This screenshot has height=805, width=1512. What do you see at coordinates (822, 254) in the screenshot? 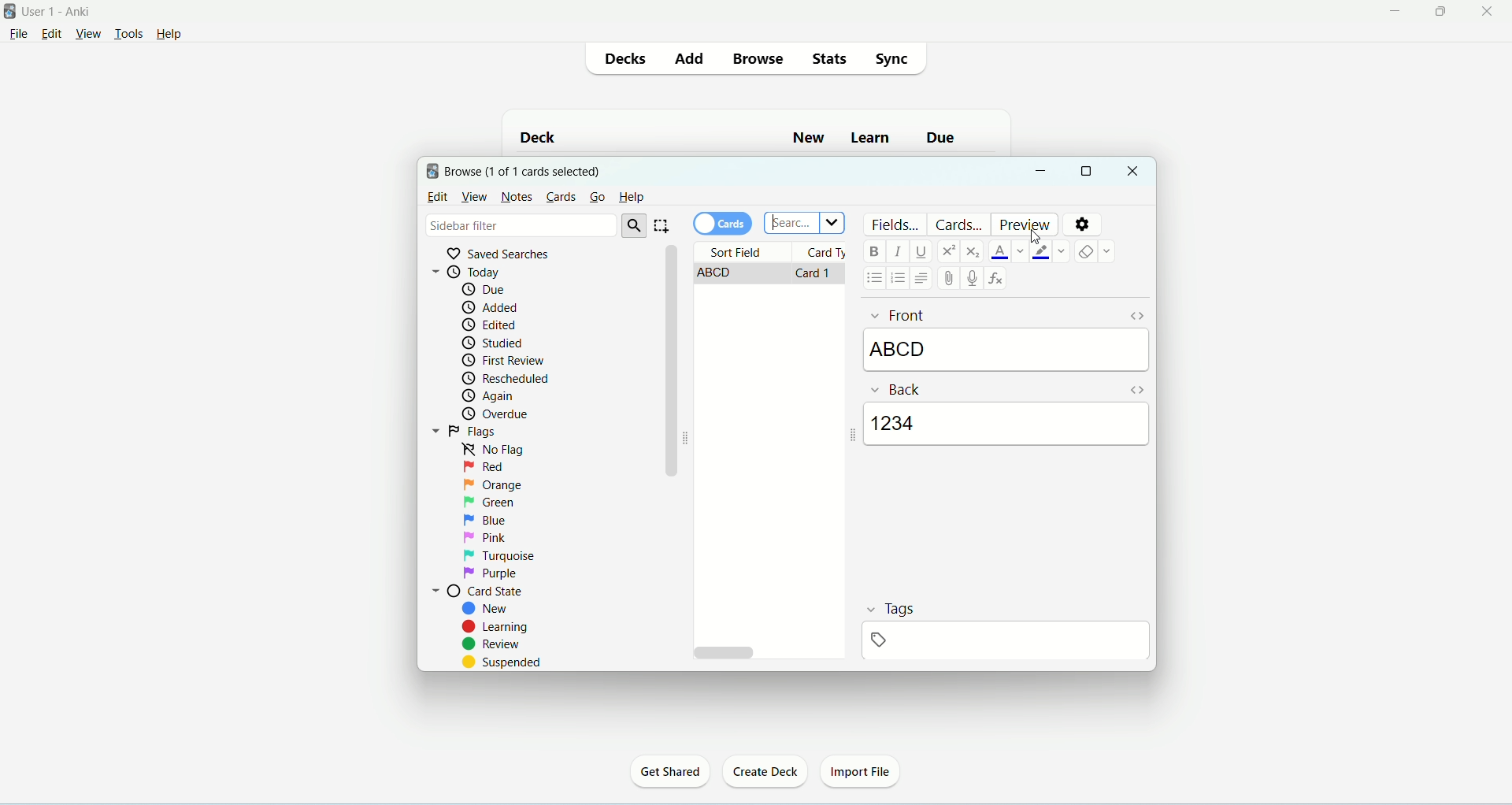
I see `card type` at bounding box center [822, 254].